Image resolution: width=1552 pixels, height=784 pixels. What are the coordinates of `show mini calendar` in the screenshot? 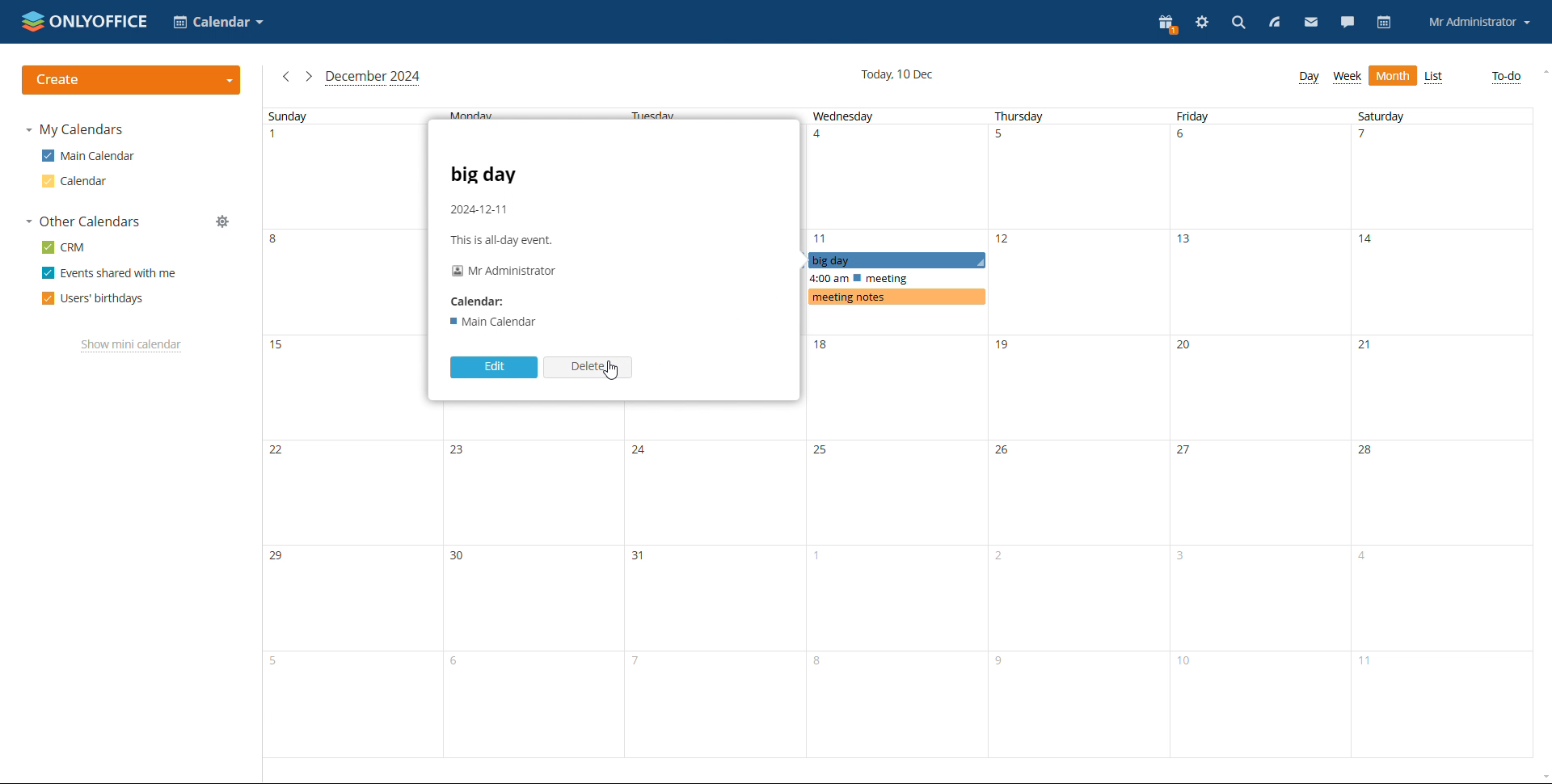 It's located at (129, 345).